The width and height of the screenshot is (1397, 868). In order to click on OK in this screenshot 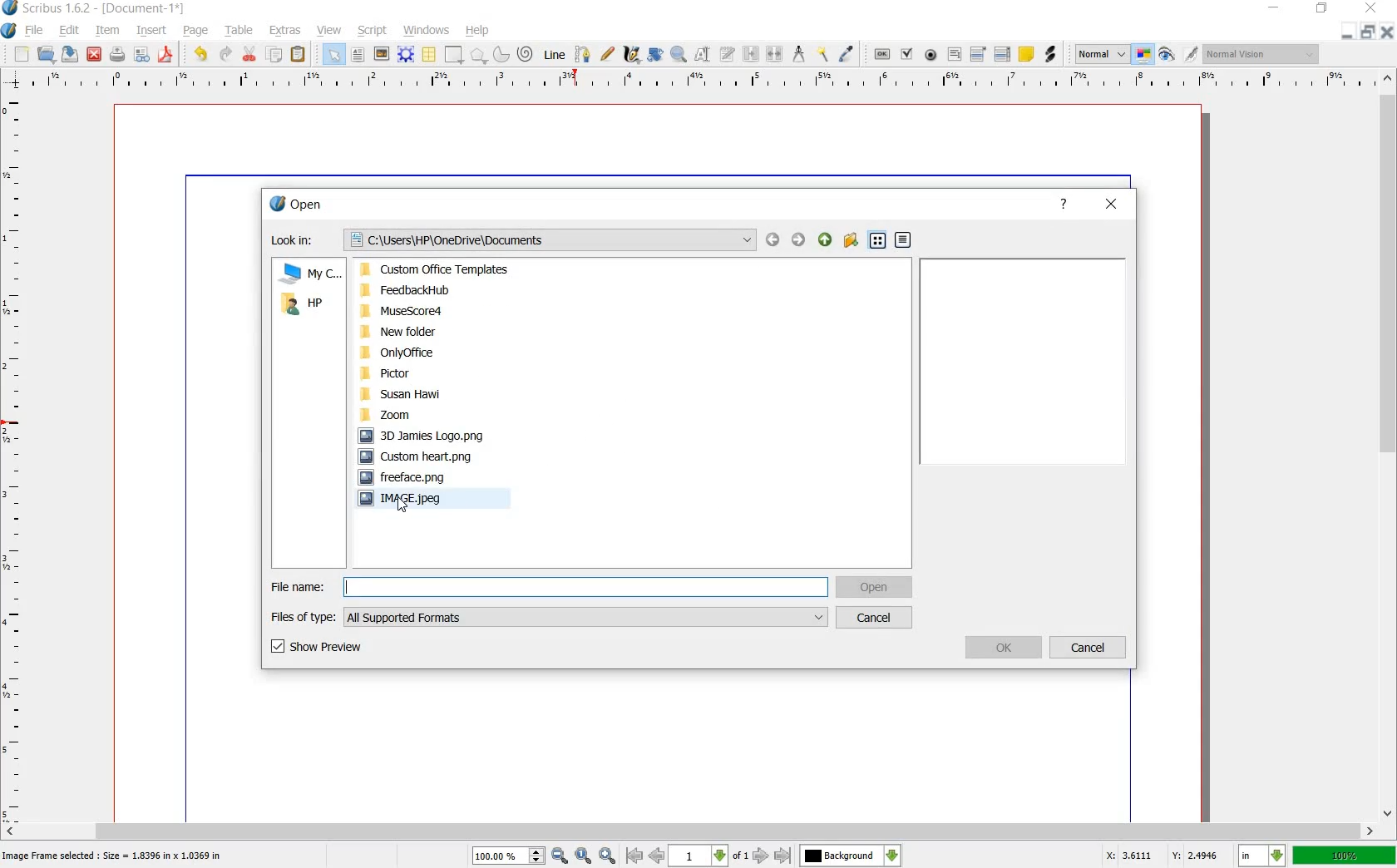, I will do `click(1001, 647)`.